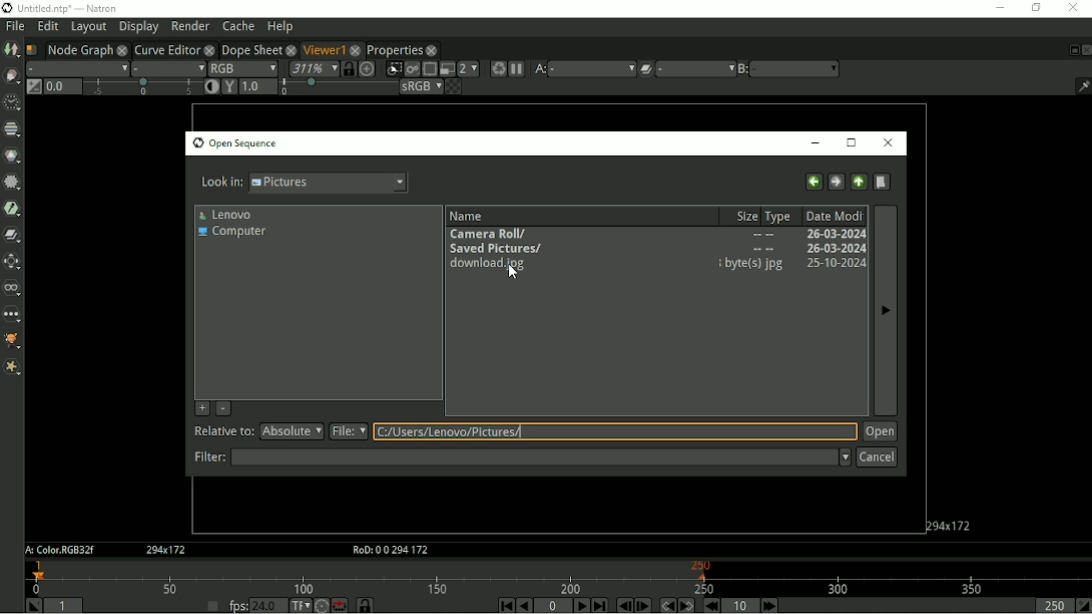 This screenshot has height=614, width=1092. What do you see at coordinates (852, 143) in the screenshot?
I see `Maximize` at bounding box center [852, 143].